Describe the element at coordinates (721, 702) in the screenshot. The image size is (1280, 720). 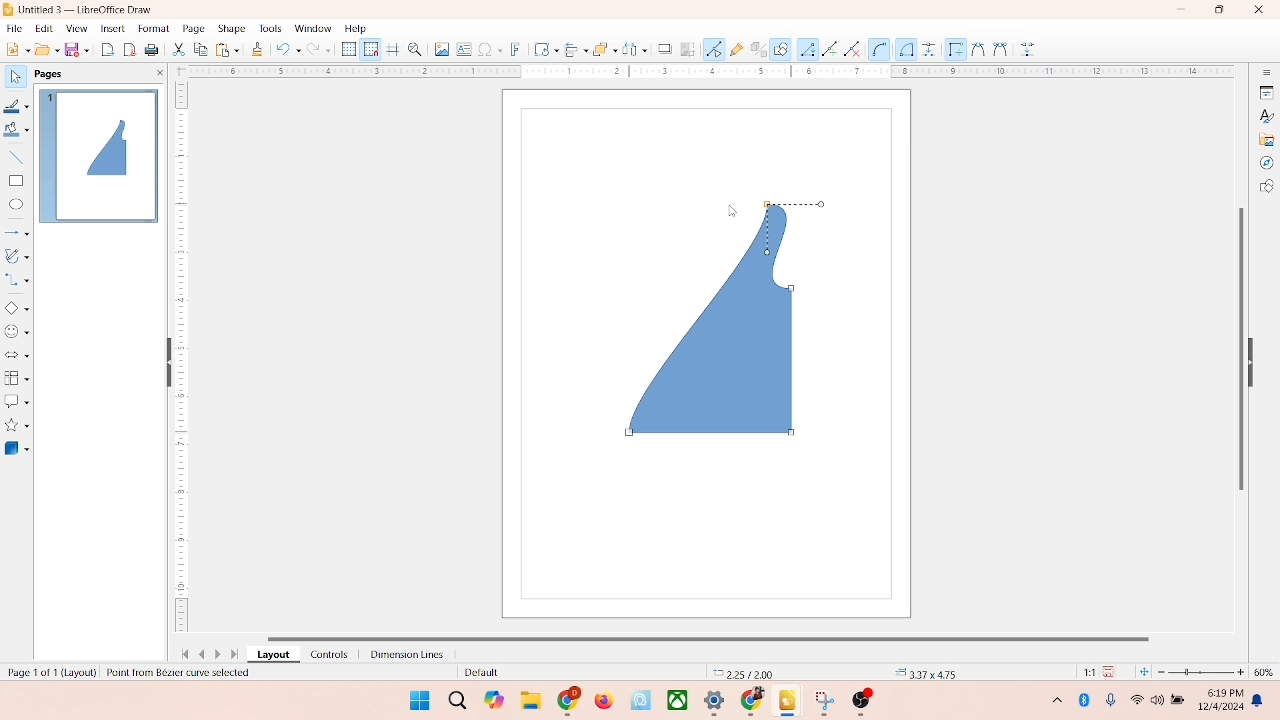
I see `applications` at that location.